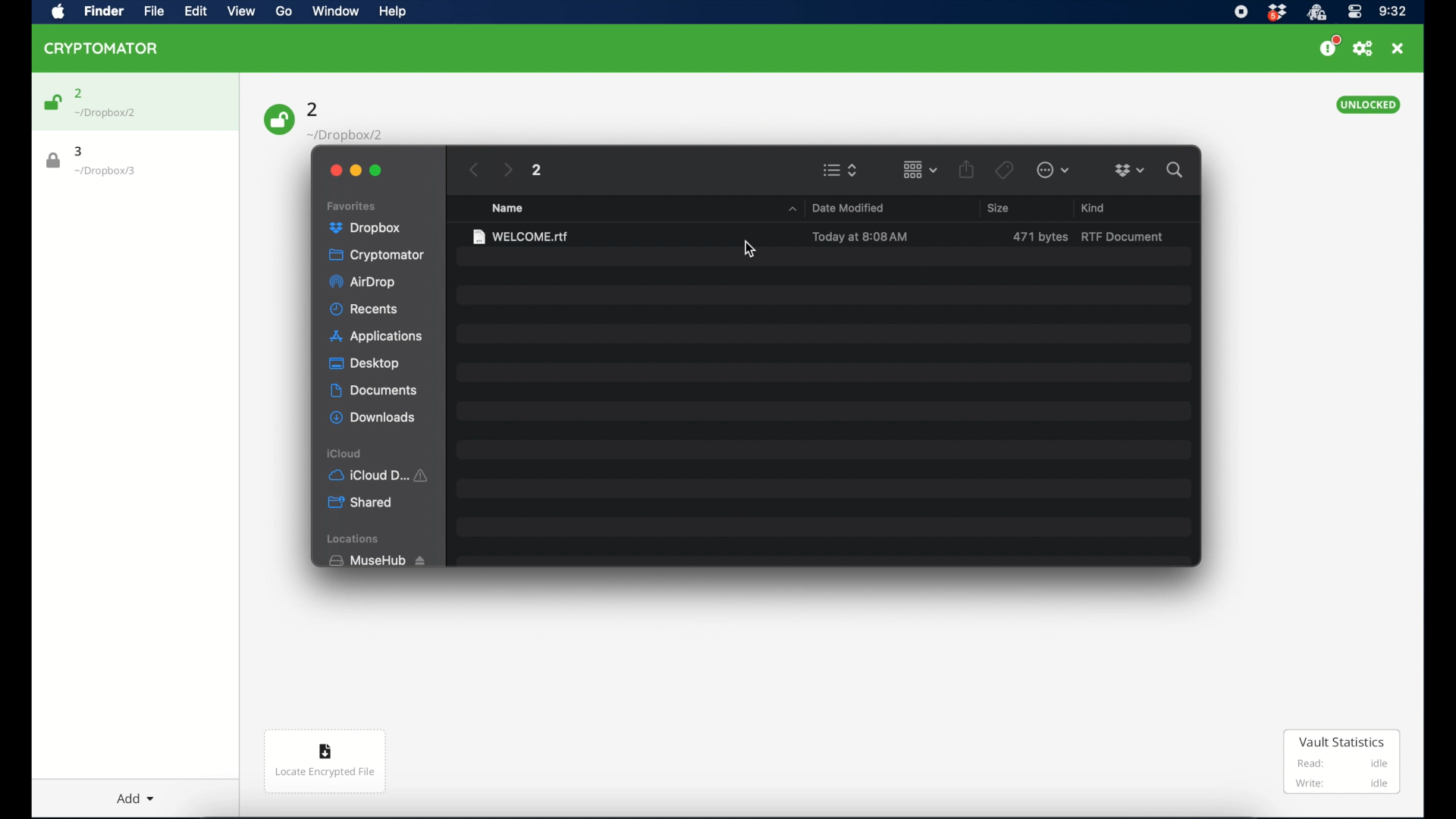  Describe the element at coordinates (507, 171) in the screenshot. I see `next` at that location.